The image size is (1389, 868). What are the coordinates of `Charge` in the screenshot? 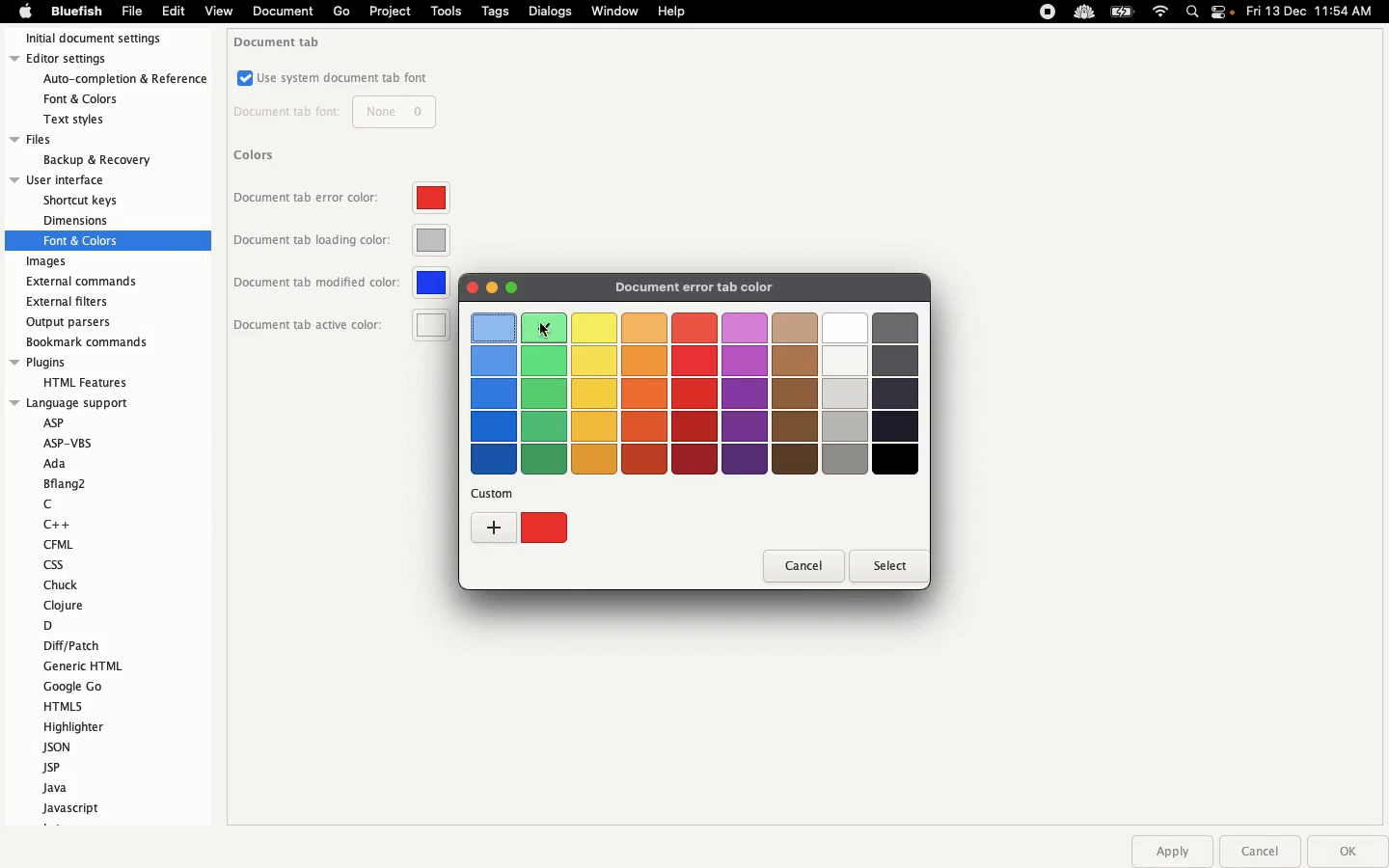 It's located at (1122, 14).